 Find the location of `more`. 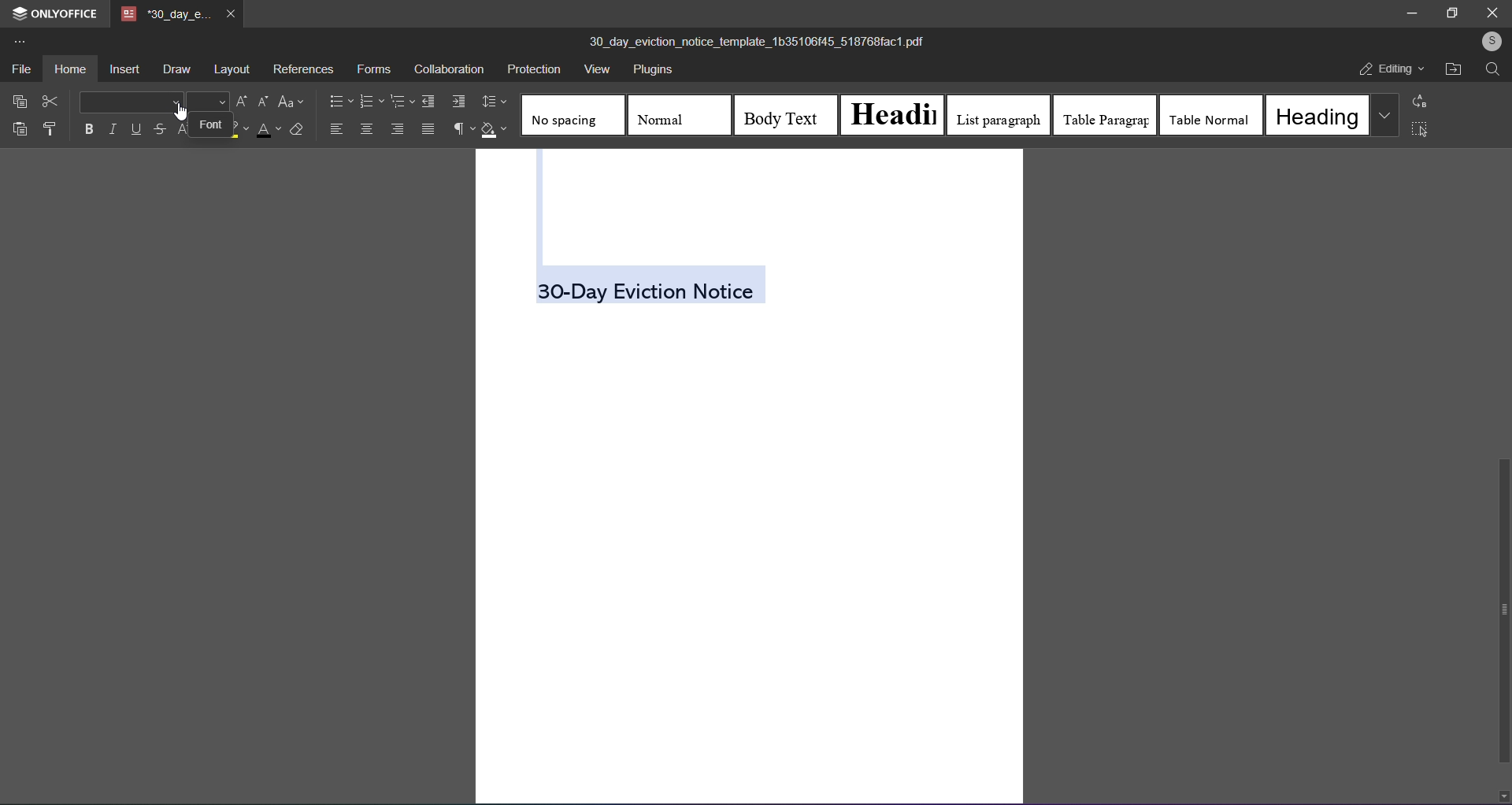

more is located at coordinates (20, 39).